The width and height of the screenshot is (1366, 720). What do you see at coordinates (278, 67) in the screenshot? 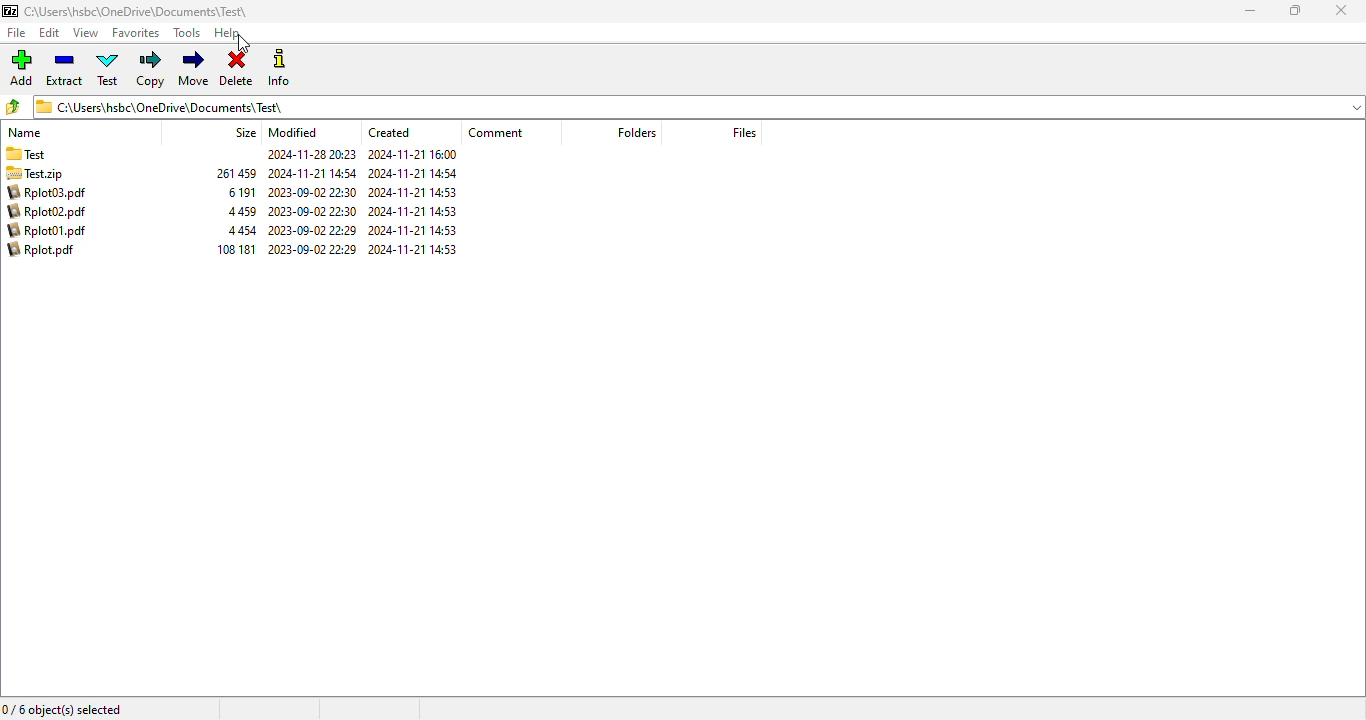
I see `info` at bounding box center [278, 67].